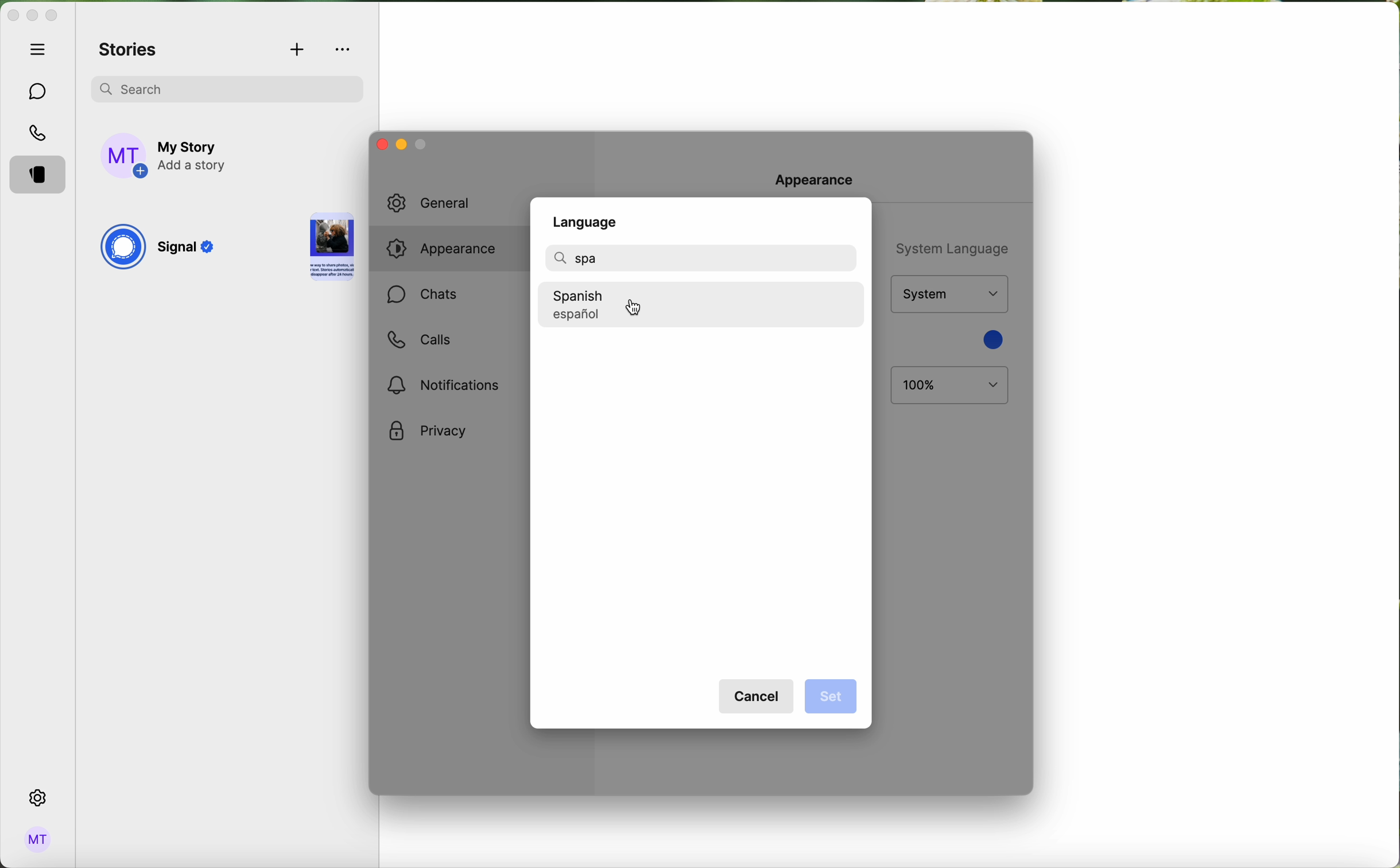  I want to click on click on appearance, so click(449, 251).